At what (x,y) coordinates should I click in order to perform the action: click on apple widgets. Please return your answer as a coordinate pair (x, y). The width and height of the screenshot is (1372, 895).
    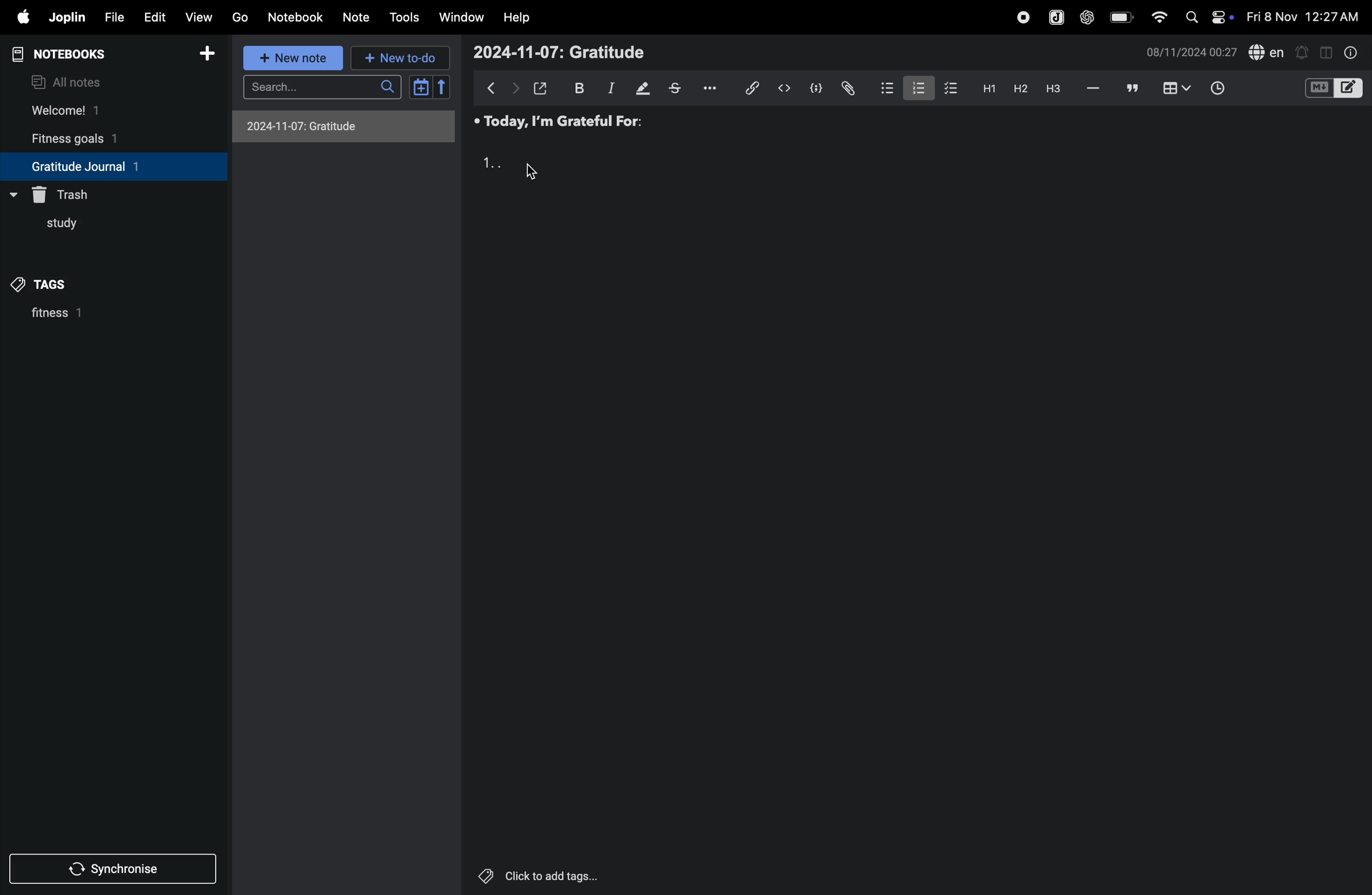
    Looking at the image, I should click on (1208, 17).